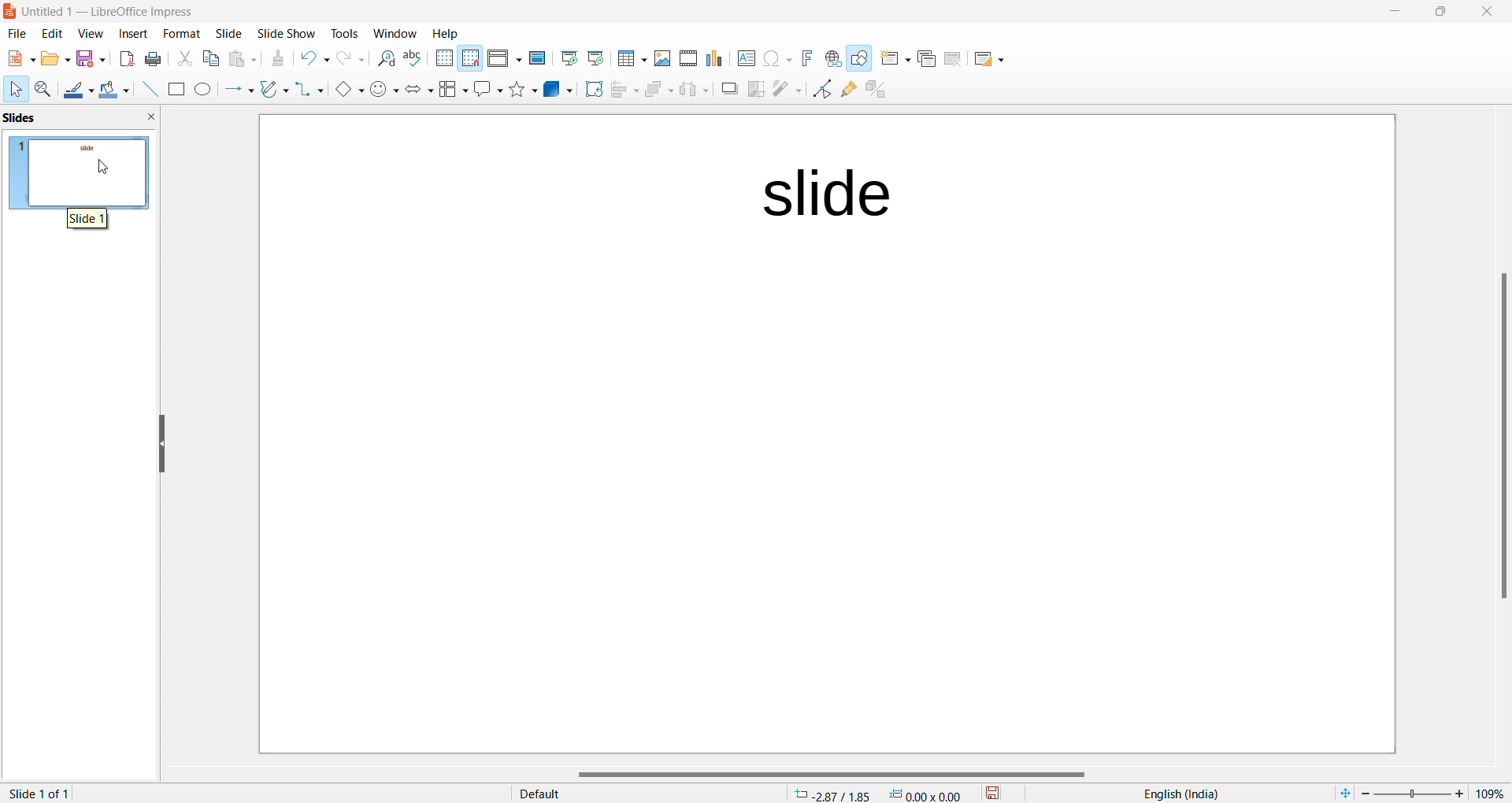  I want to click on Snap to grid, so click(471, 58).